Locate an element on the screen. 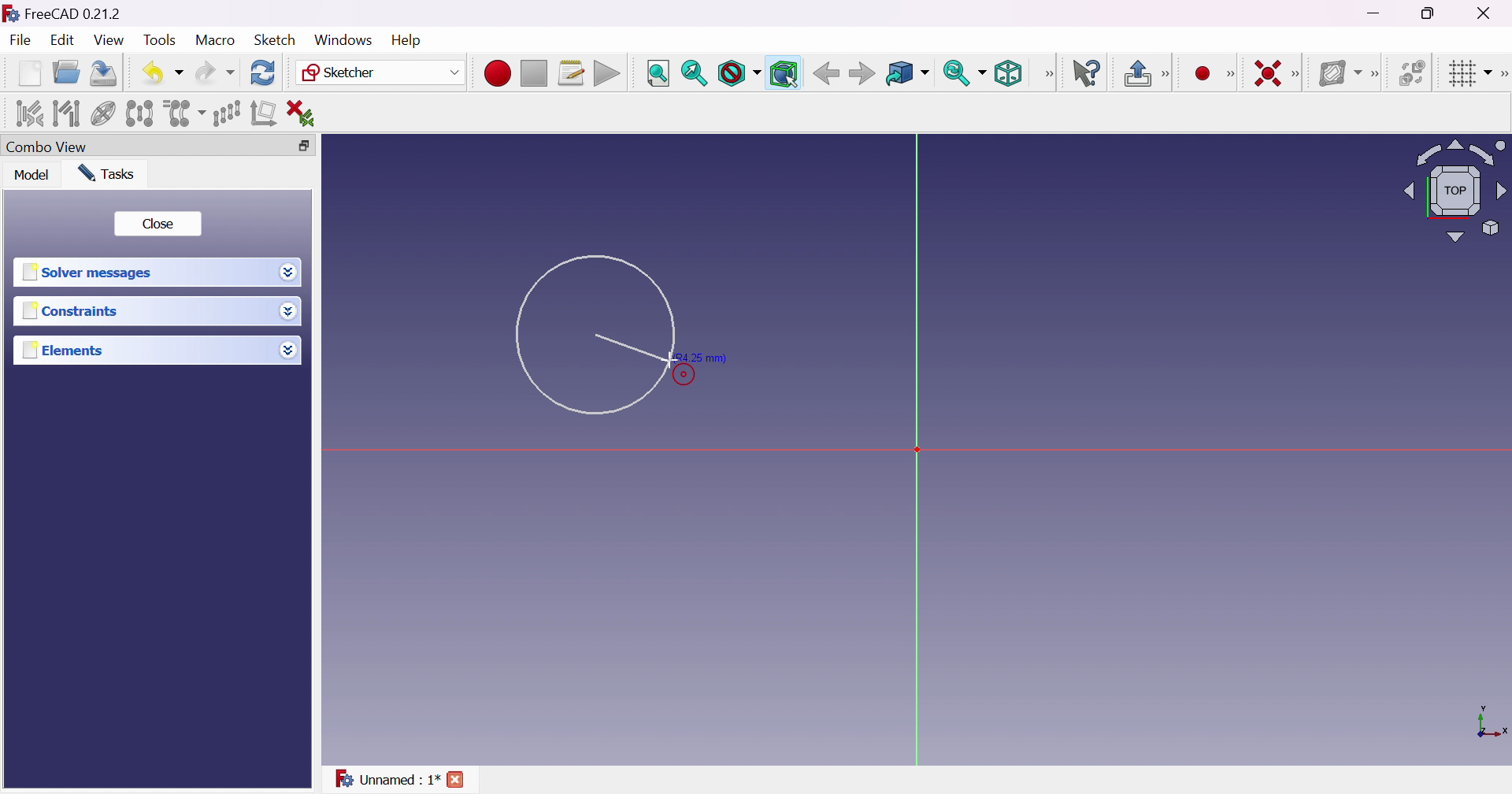 The width and height of the screenshot is (1512, 794). Go to linked object is located at coordinates (906, 74).